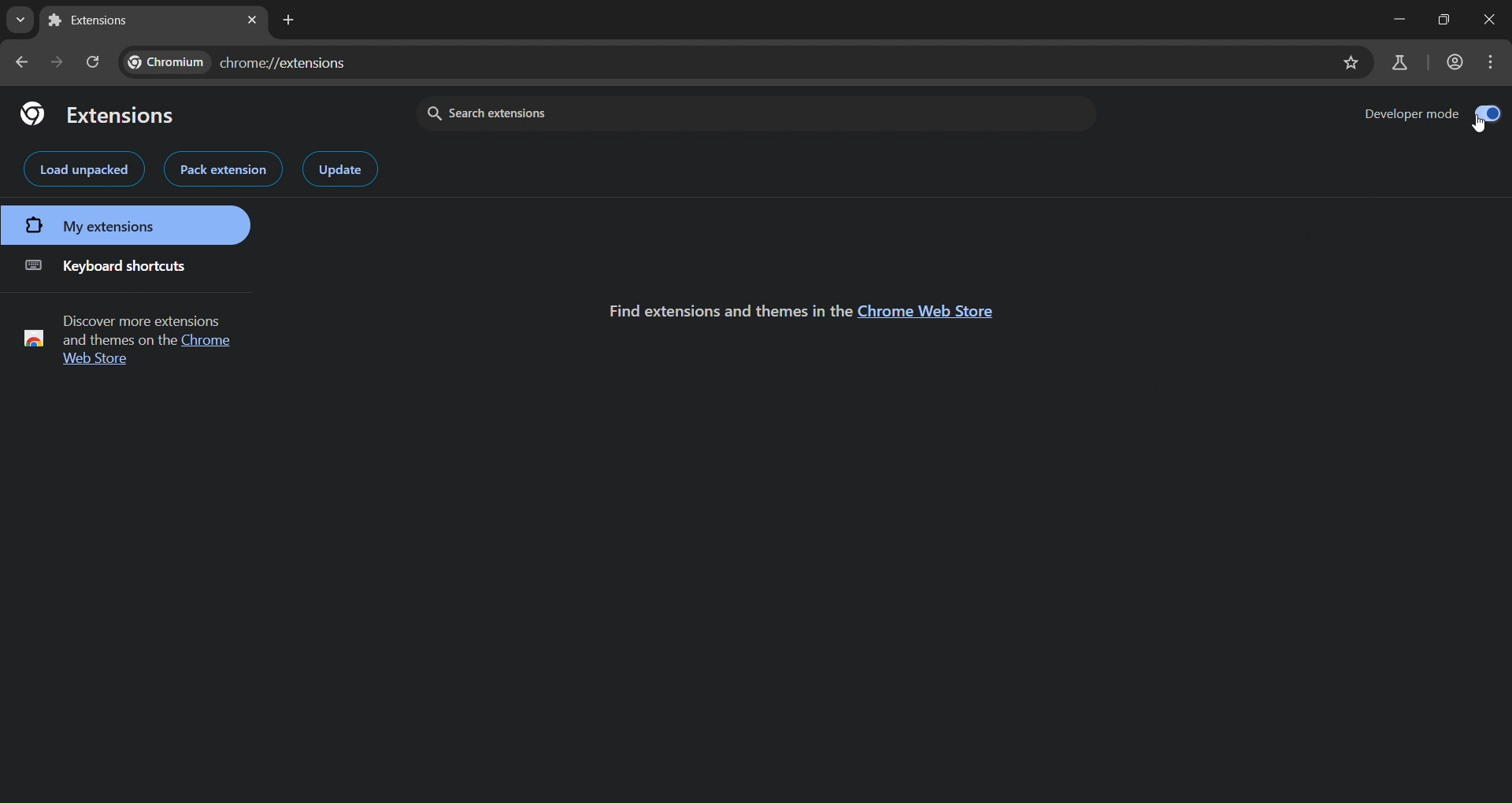  Describe the element at coordinates (1446, 17) in the screenshot. I see `close` at that location.